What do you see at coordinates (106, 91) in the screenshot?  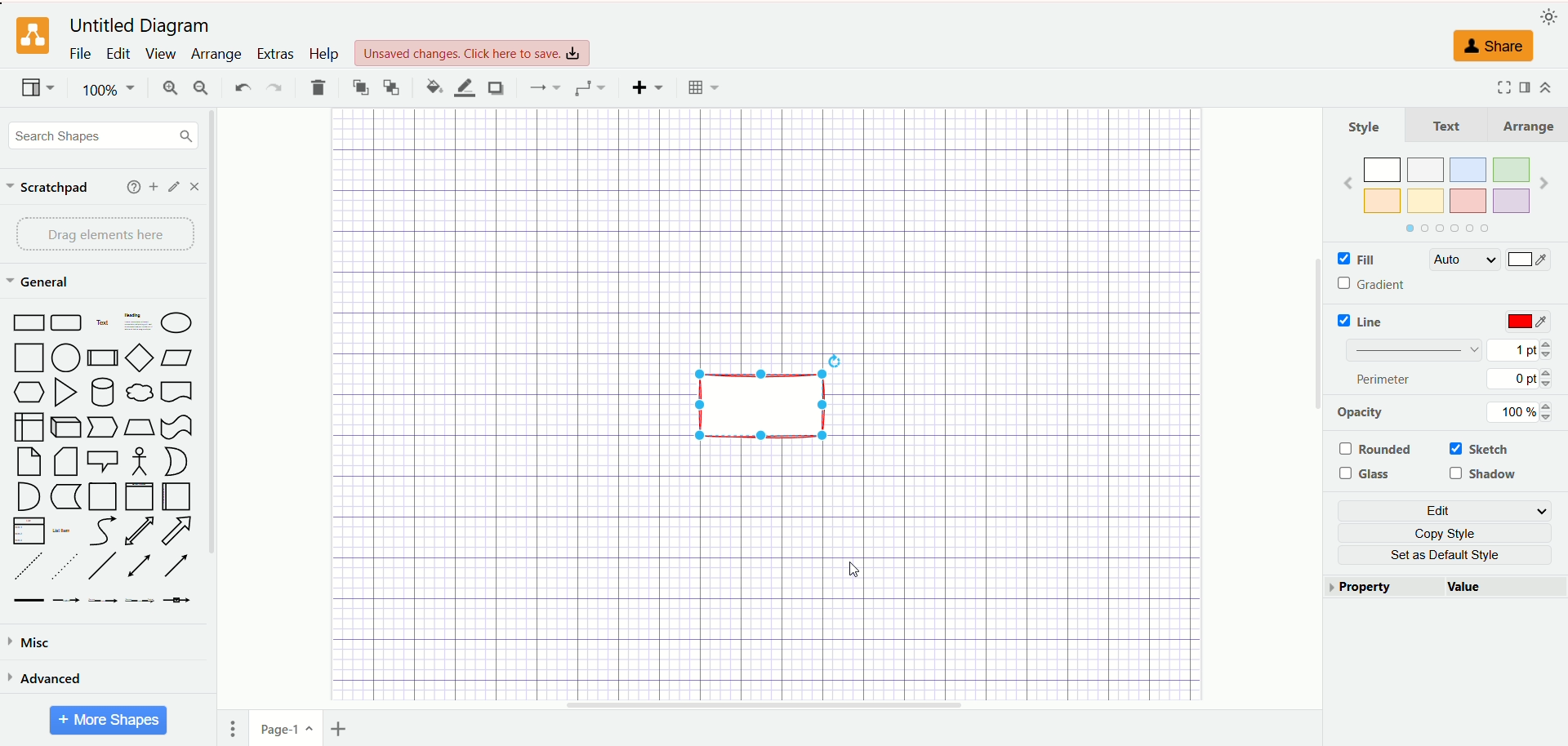 I see `100%` at bounding box center [106, 91].